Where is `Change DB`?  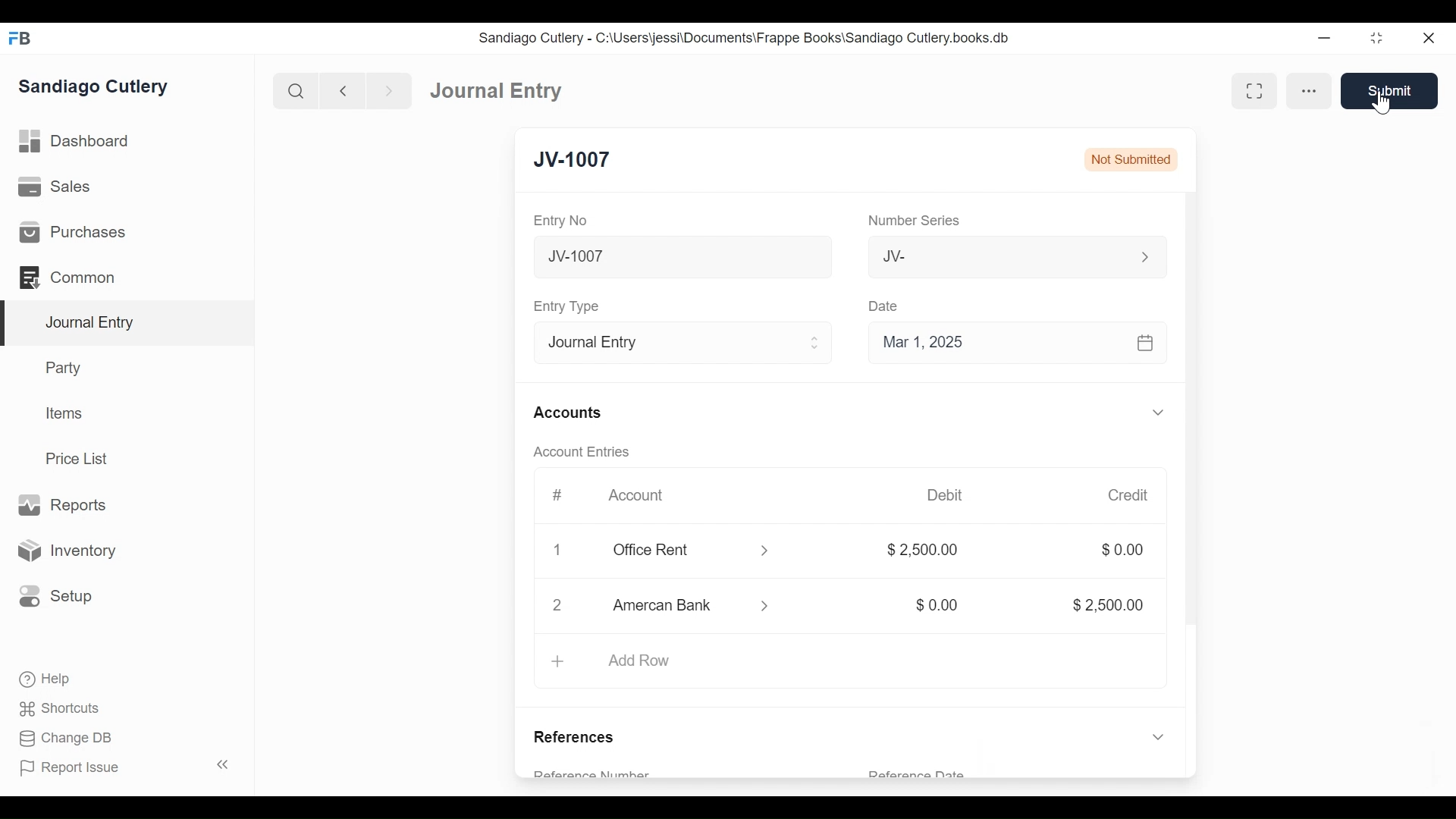
Change DB is located at coordinates (59, 739).